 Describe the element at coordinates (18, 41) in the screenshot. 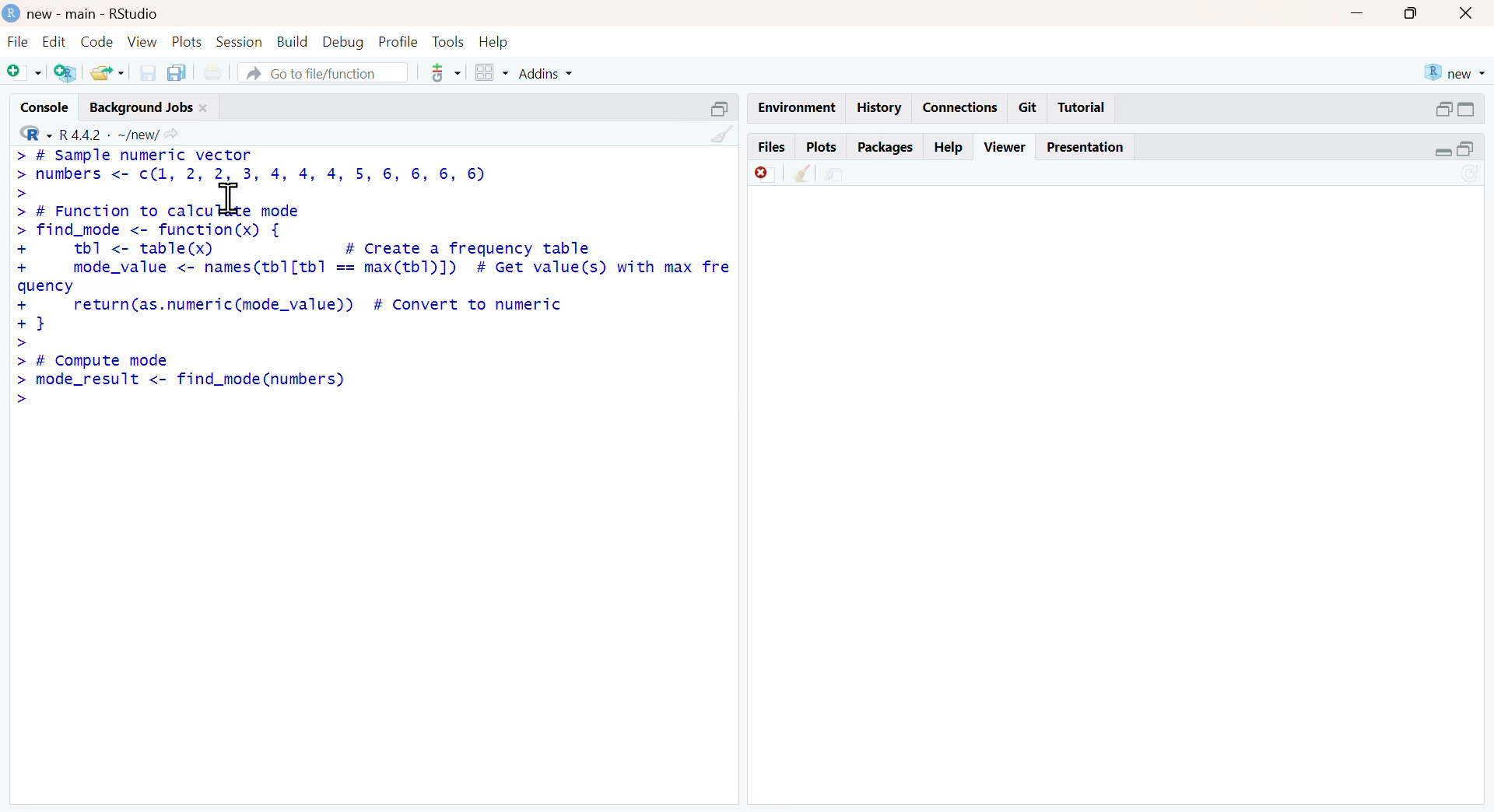

I see `file` at that location.